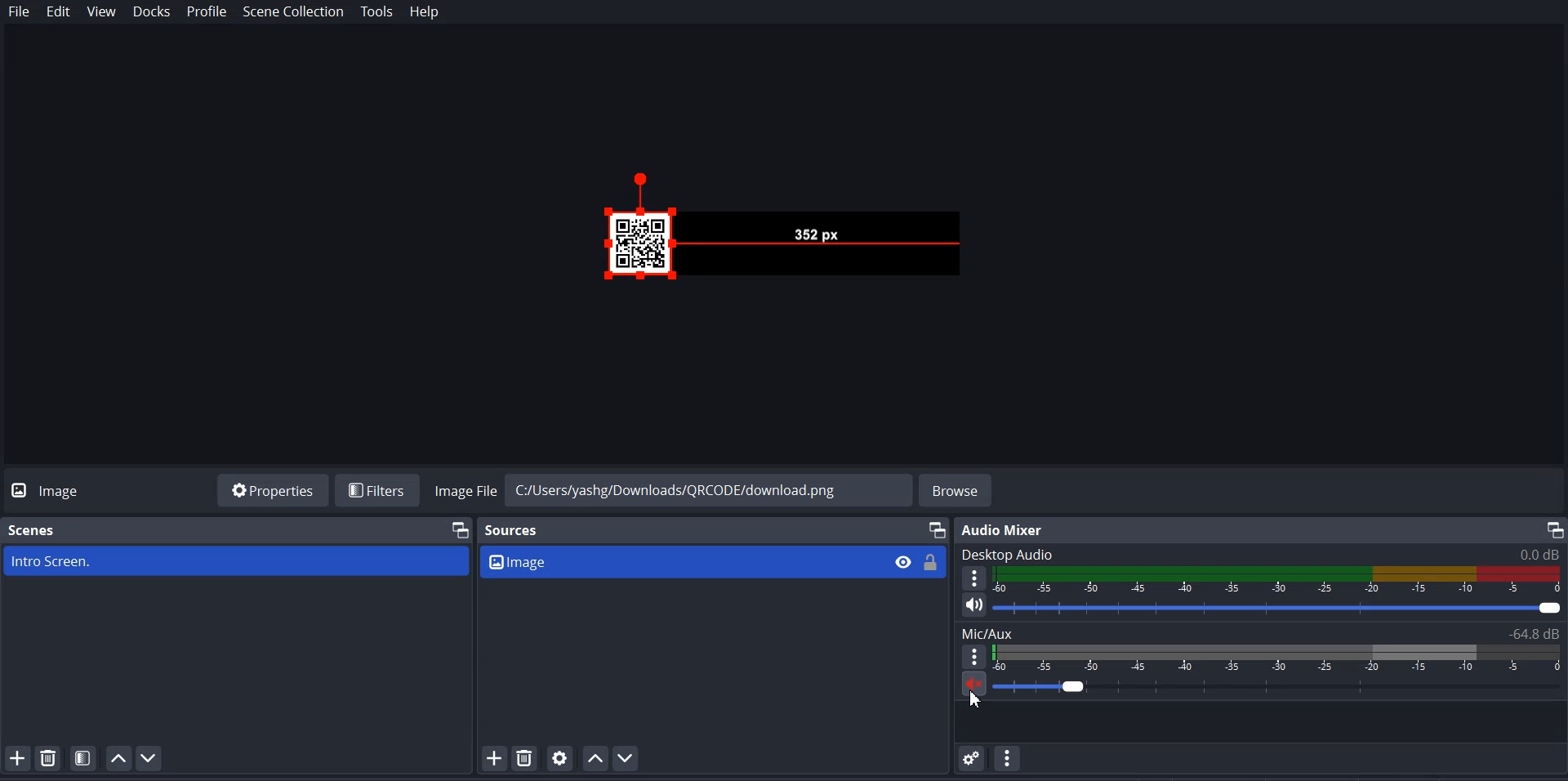  Describe the element at coordinates (34, 530) in the screenshot. I see `Scene` at that location.